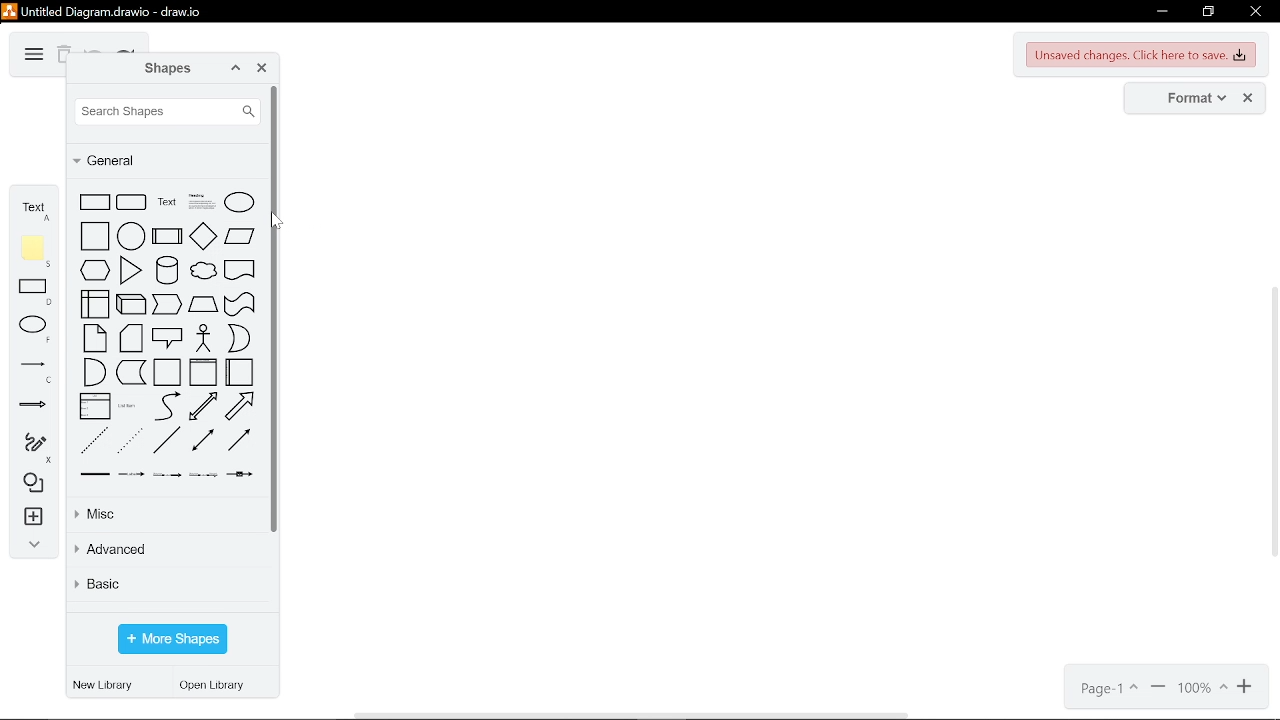  Describe the element at coordinates (30, 484) in the screenshot. I see `shapes` at that location.